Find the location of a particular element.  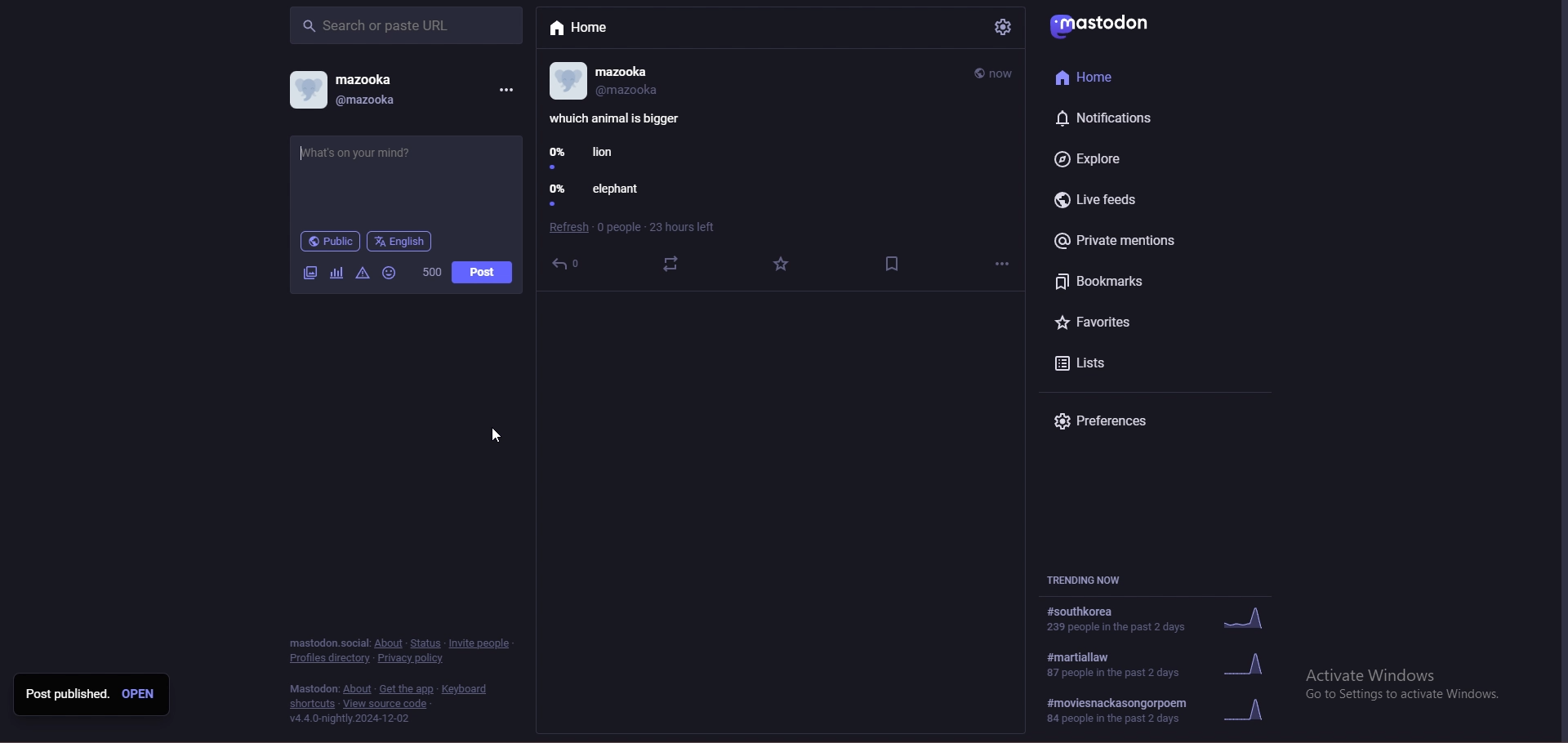

open is located at coordinates (141, 695).